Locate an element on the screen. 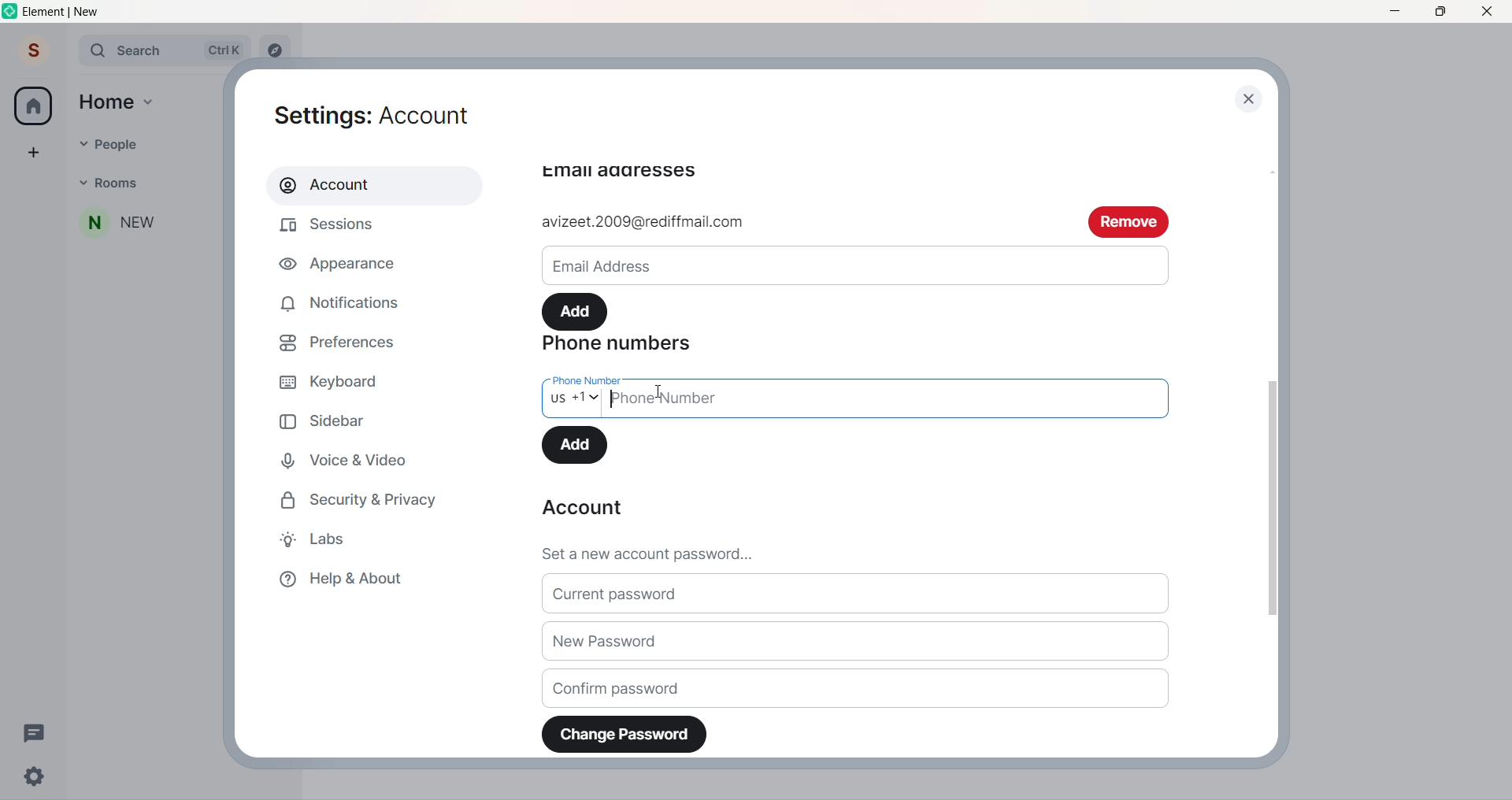 The width and height of the screenshot is (1512, 800). Home is located at coordinates (107, 101).